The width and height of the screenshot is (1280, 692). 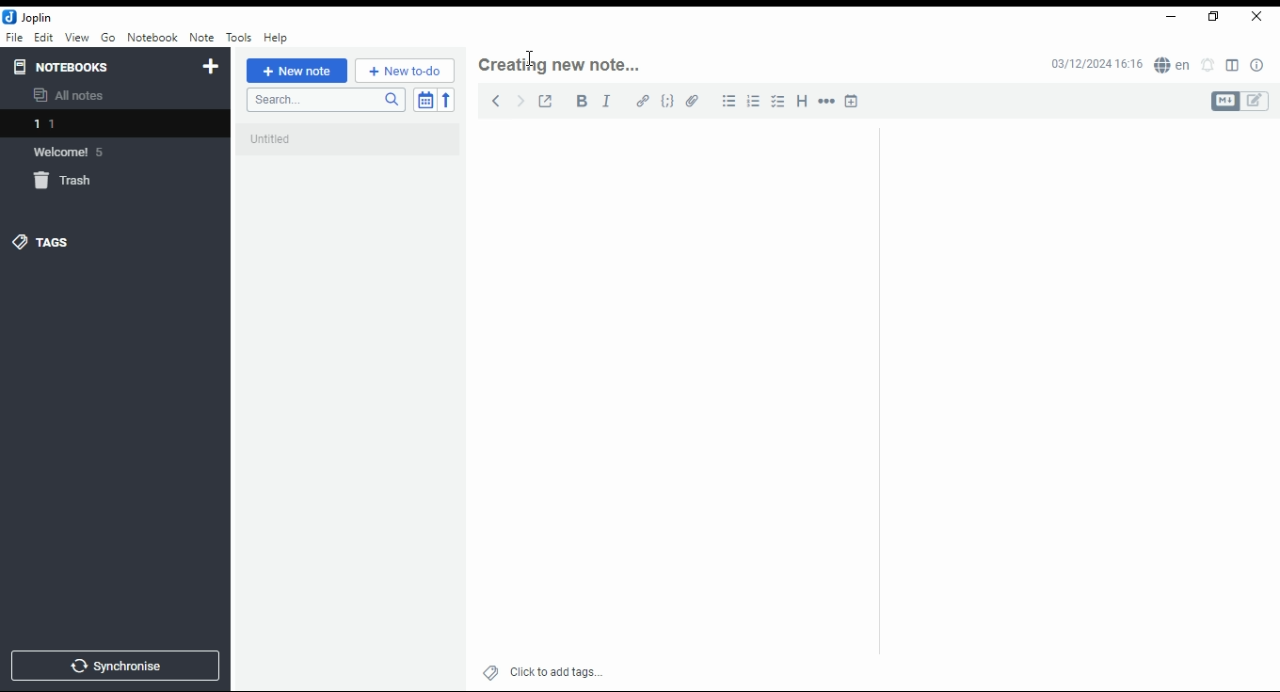 I want to click on New to-do, so click(x=405, y=71).